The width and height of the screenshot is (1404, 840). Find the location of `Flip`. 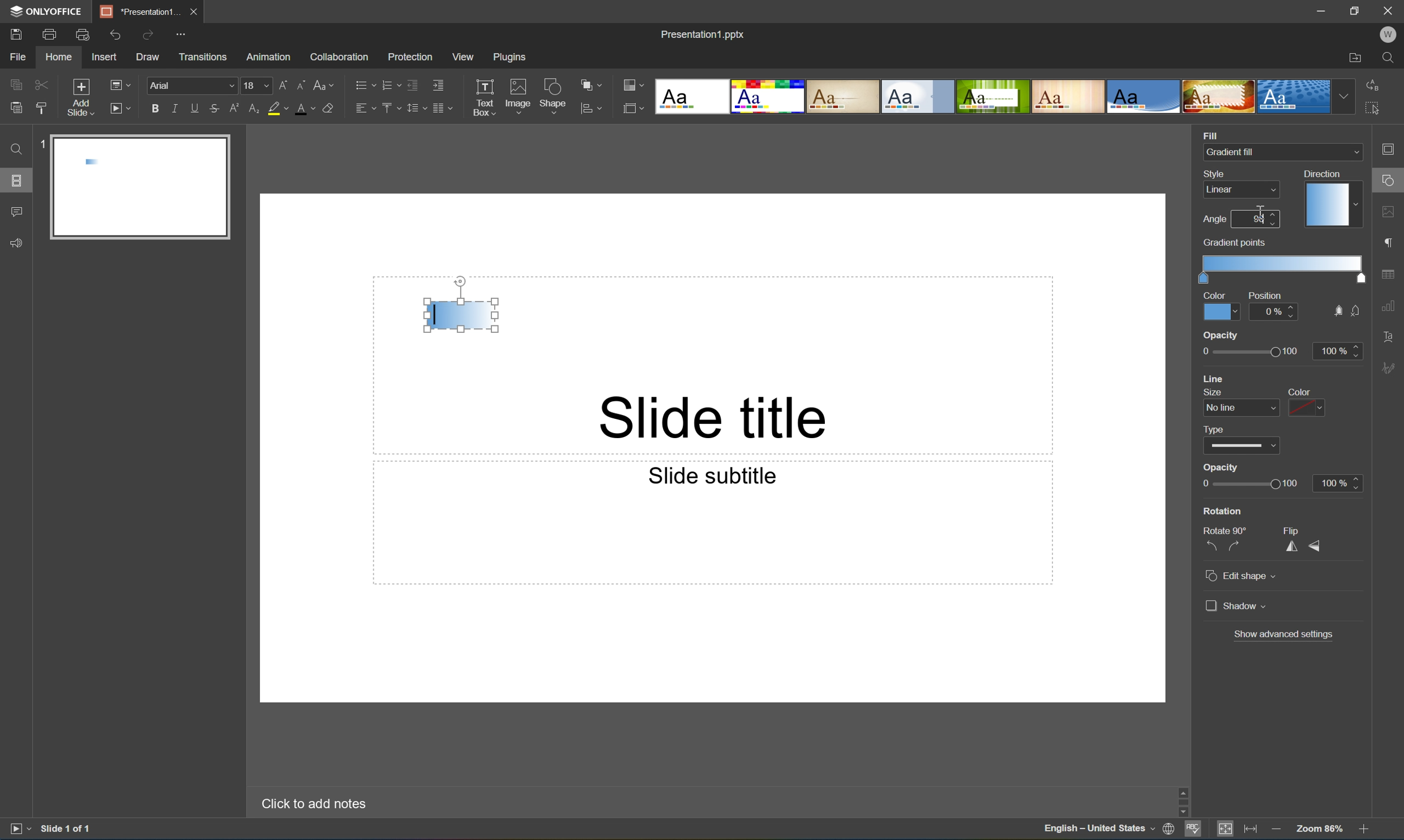

Flip is located at coordinates (1294, 530).